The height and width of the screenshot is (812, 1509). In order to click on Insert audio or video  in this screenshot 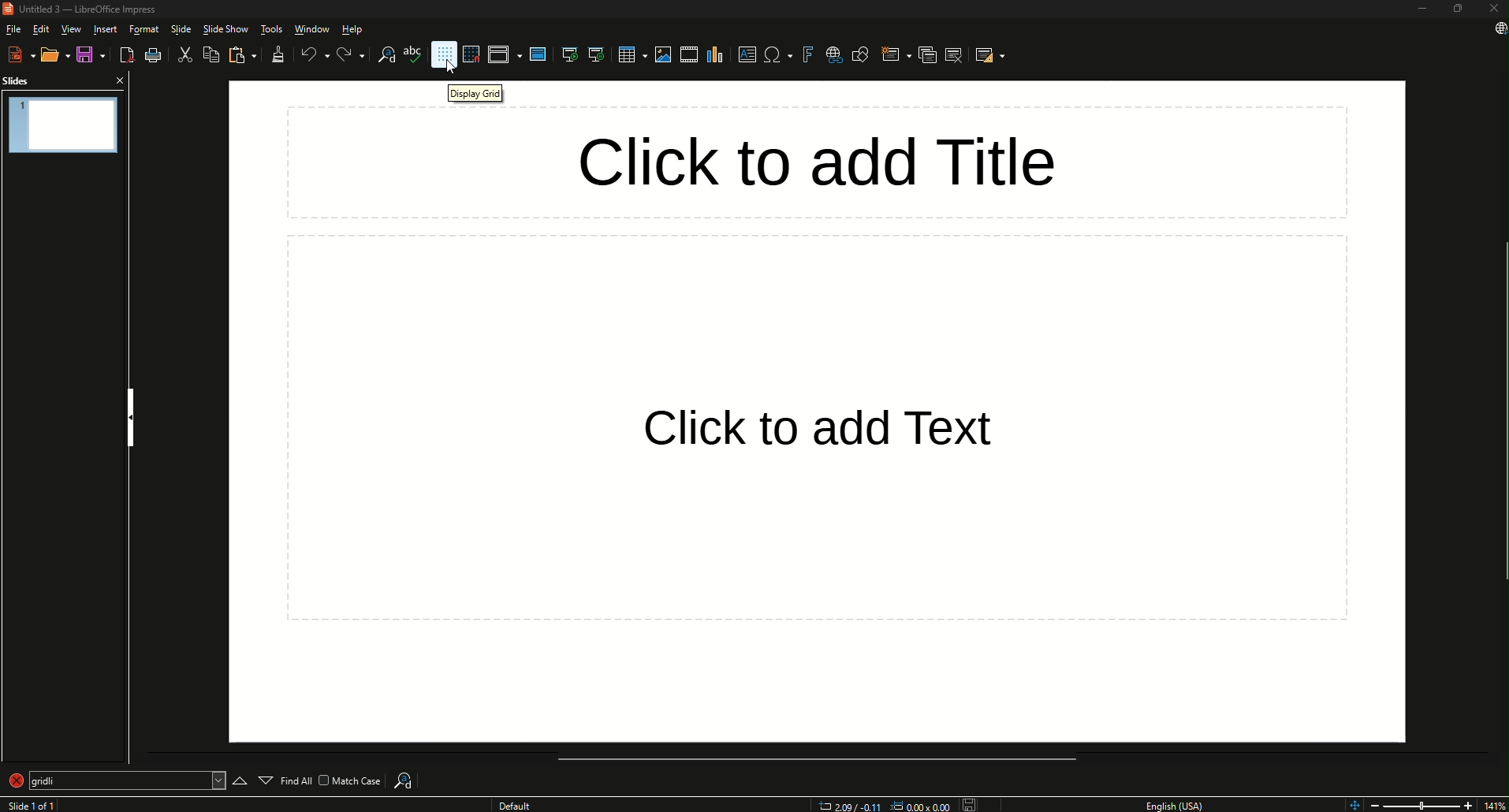, I will do `click(687, 54)`.